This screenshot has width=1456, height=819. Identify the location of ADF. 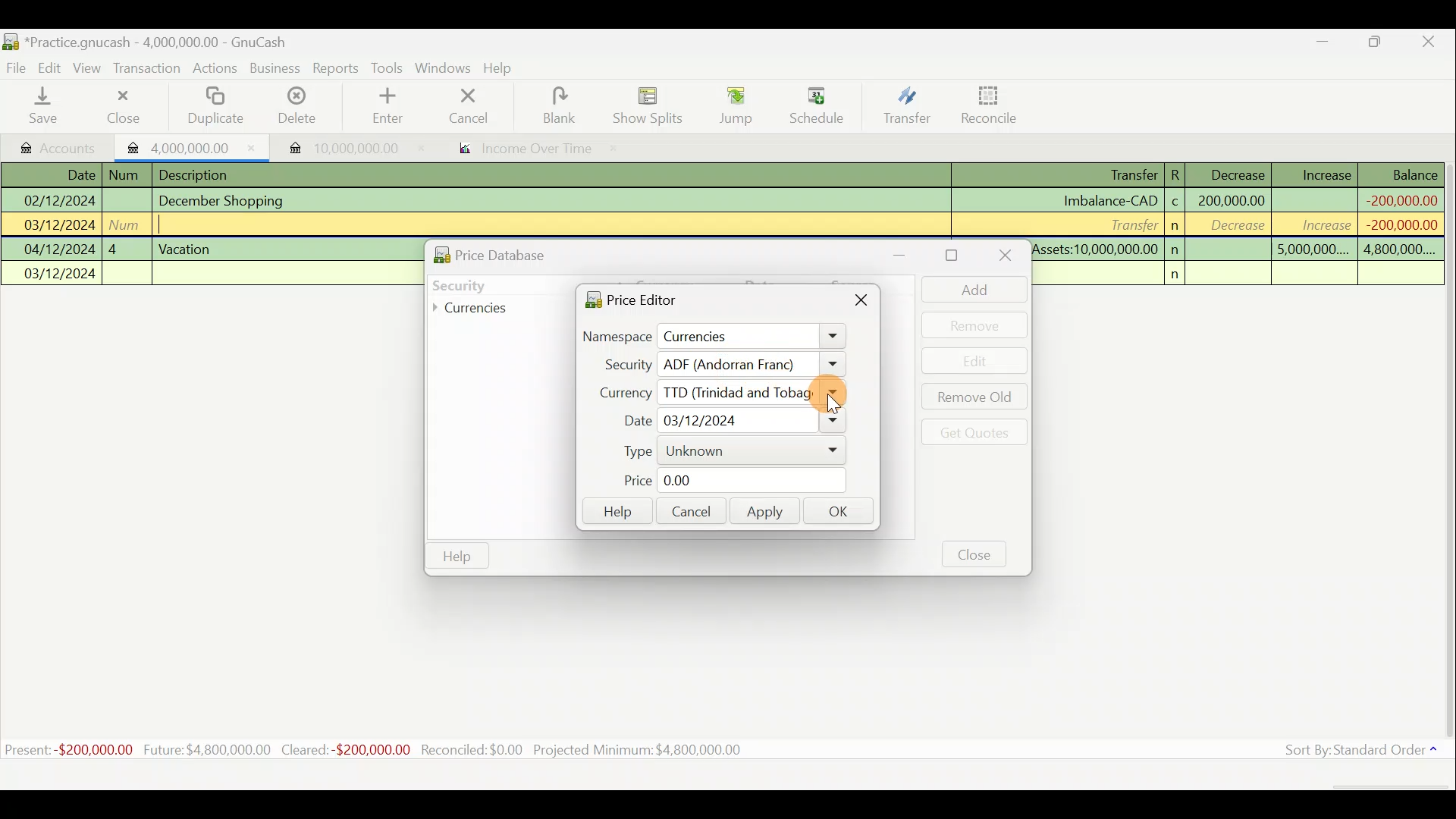
(752, 365).